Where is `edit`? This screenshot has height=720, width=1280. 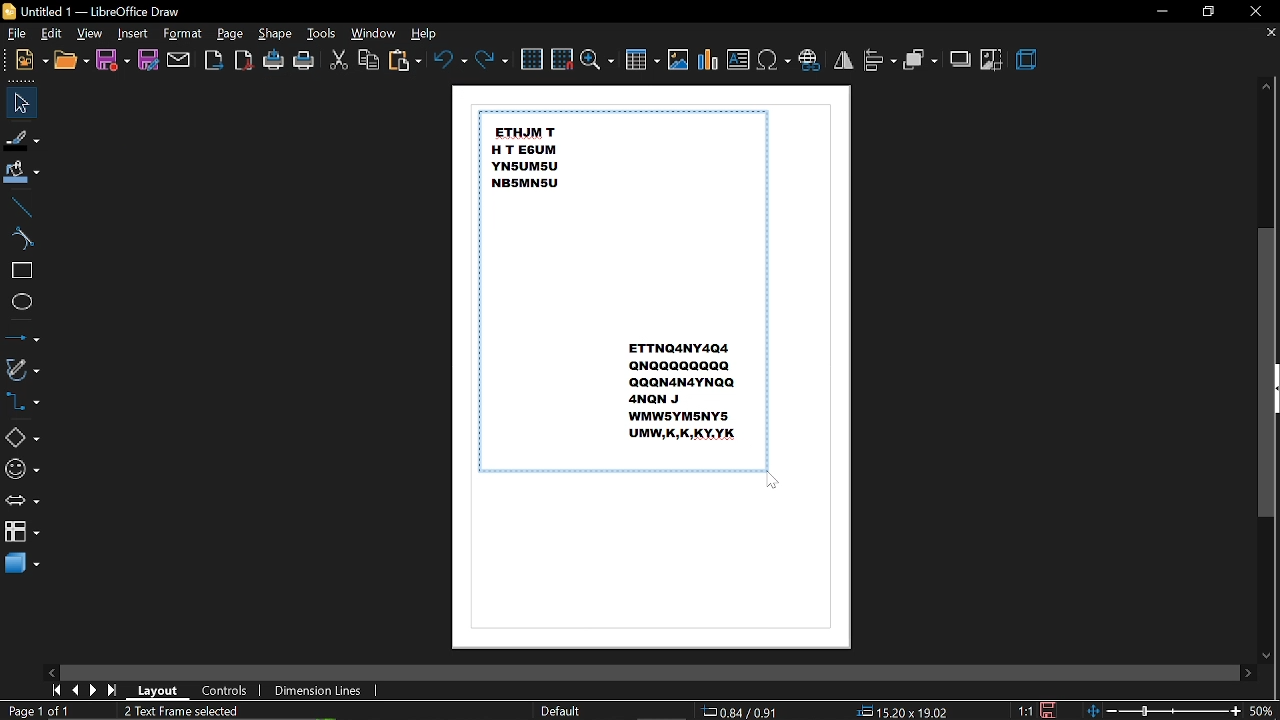
edit is located at coordinates (53, 34).